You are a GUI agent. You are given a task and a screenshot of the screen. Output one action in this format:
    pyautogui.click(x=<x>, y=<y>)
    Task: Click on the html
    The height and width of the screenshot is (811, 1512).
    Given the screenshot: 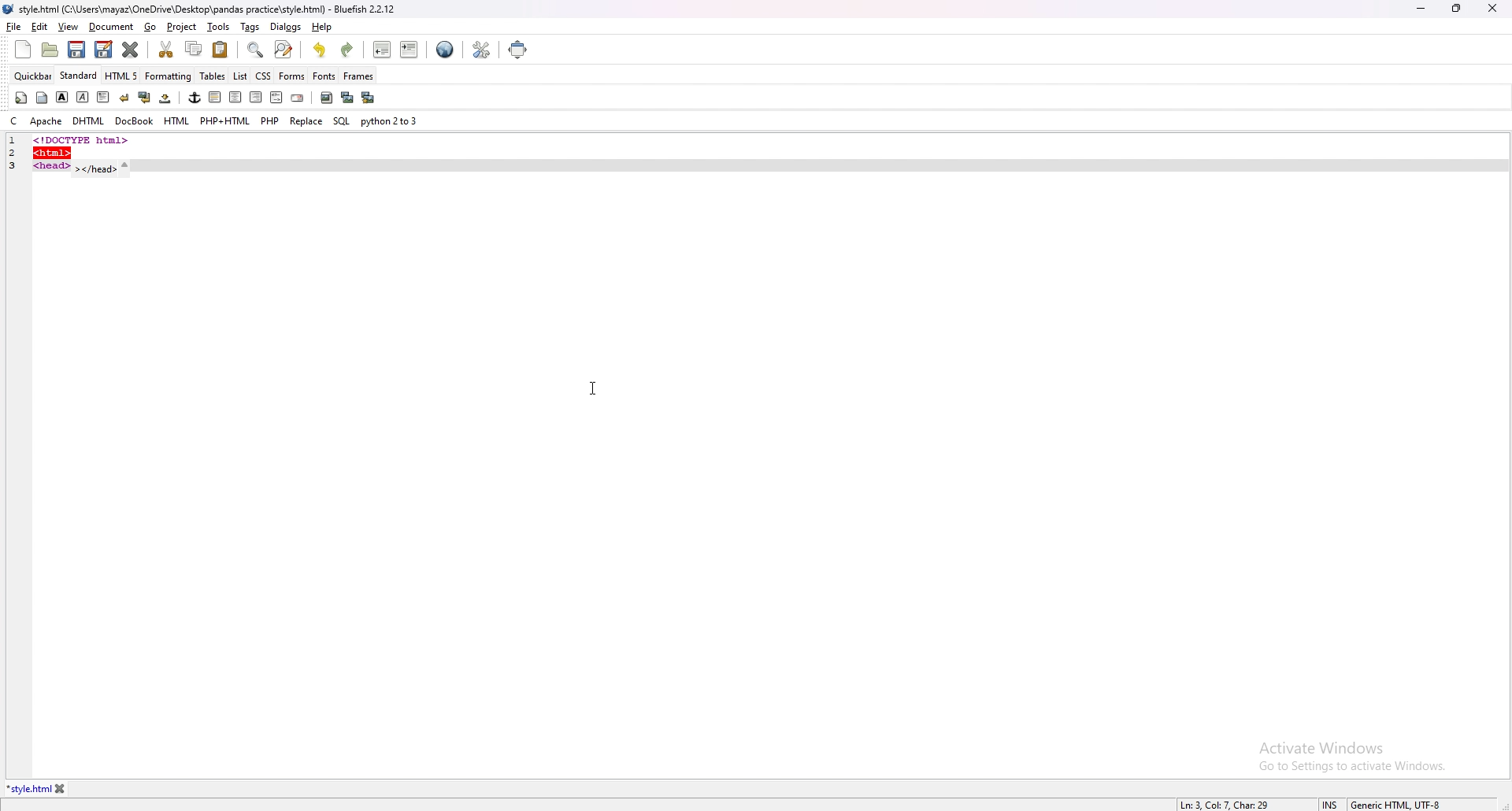 What is the action you would take?
    pyautogui.click(x=177, y=121)
    